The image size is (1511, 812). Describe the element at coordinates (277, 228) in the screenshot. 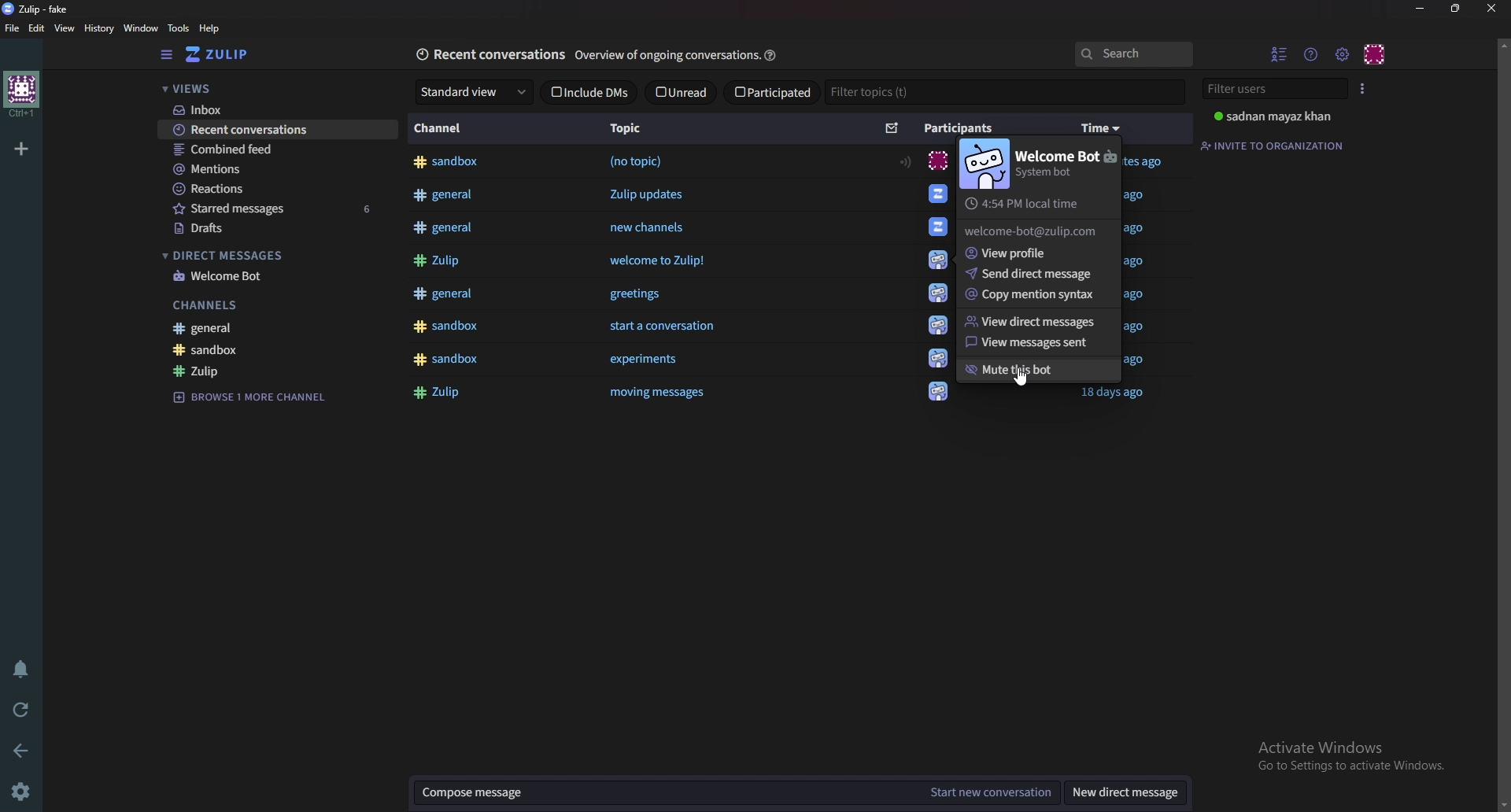

I see `Drafts` at that location.